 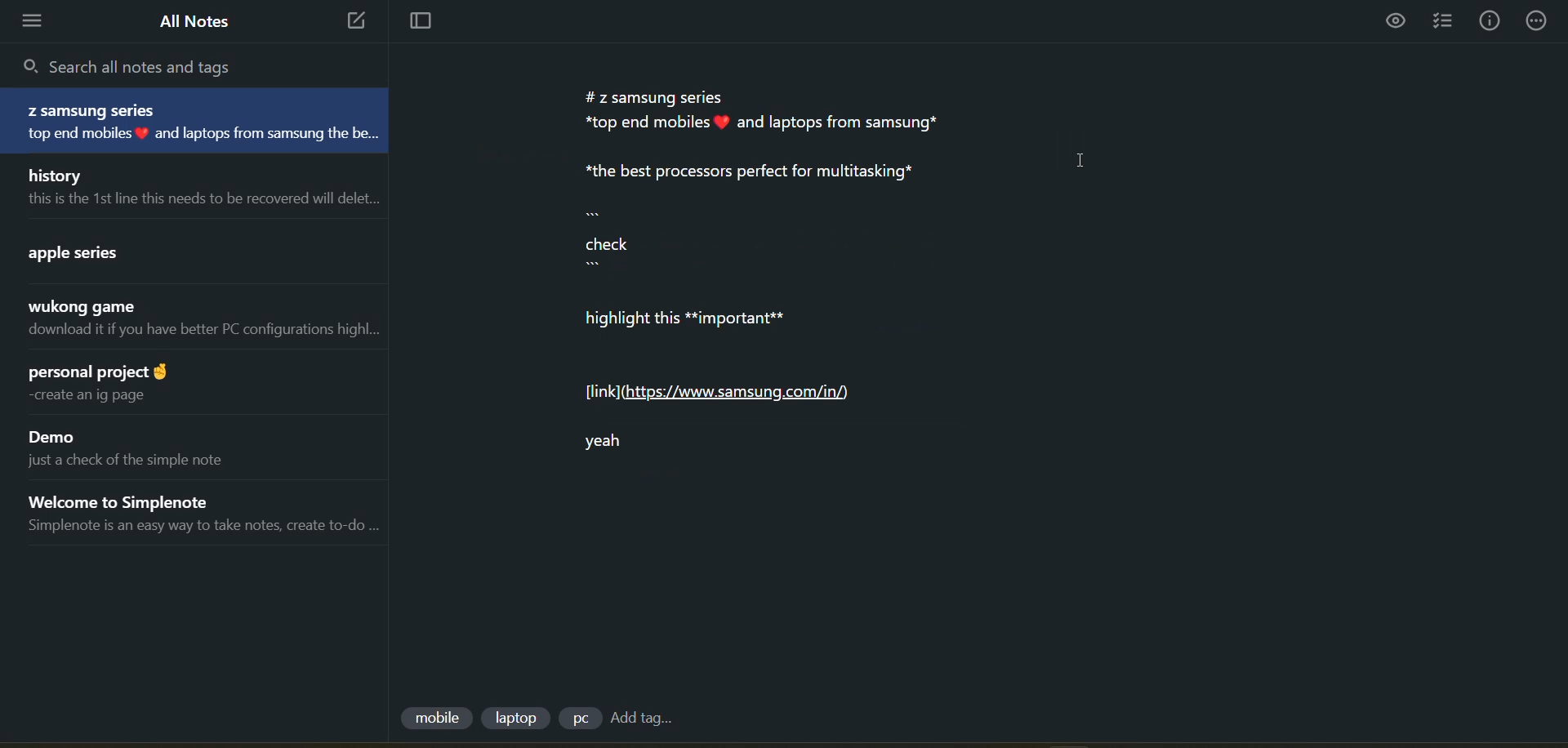 I want to click on menu, so click(x=38, y=21).